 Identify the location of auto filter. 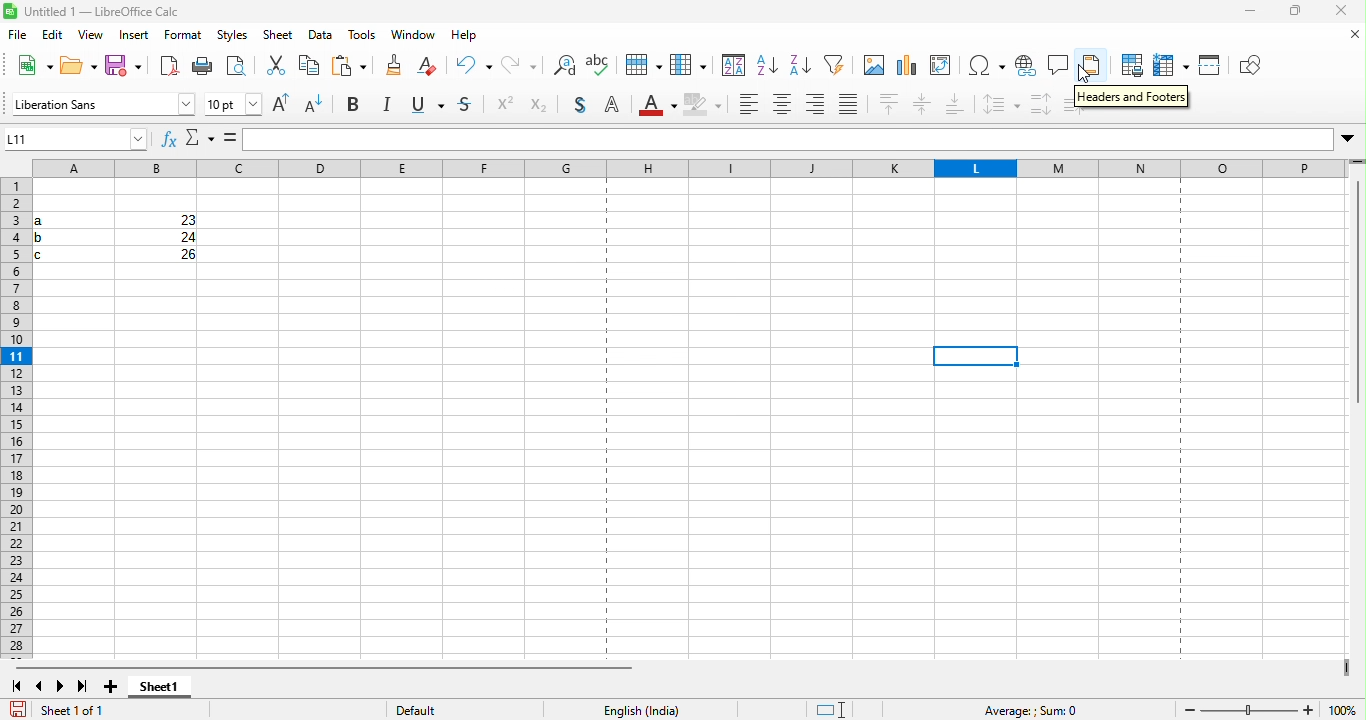
(799, 67).